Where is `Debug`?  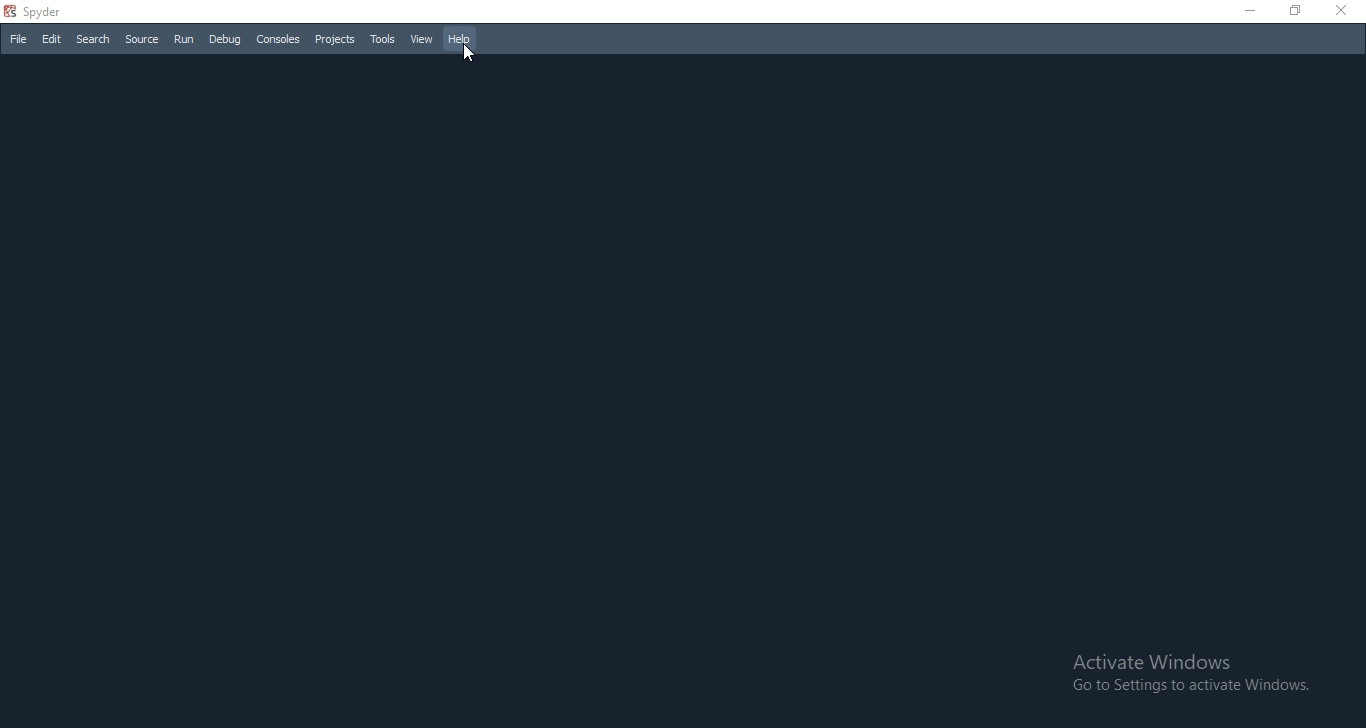 Debug is located at coordinates (223, 38).